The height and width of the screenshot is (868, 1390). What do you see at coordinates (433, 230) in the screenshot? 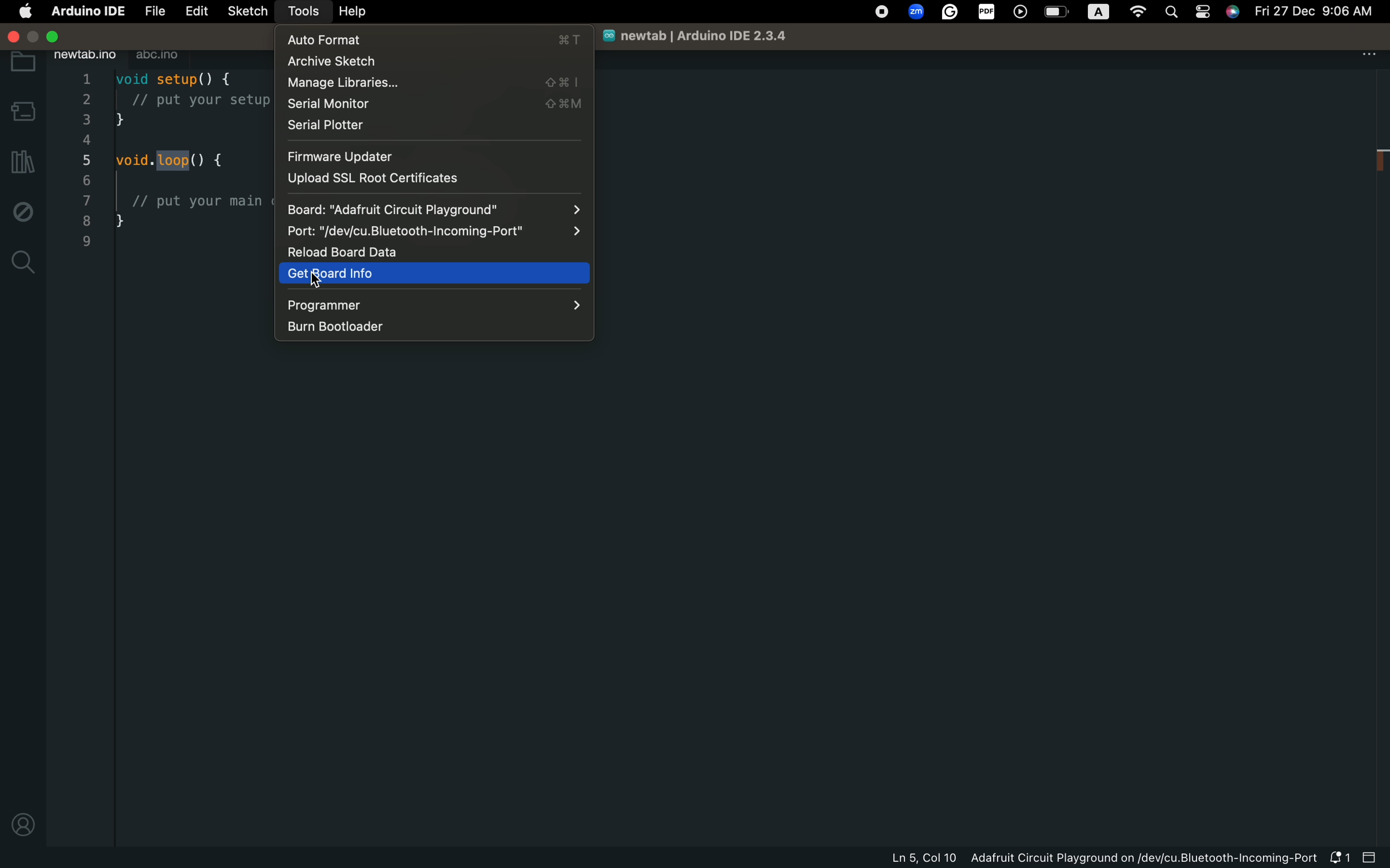
I see `Port: "/dev/cu.Bluetooth-Incoming-Port"` at bounding box center [433, 230].